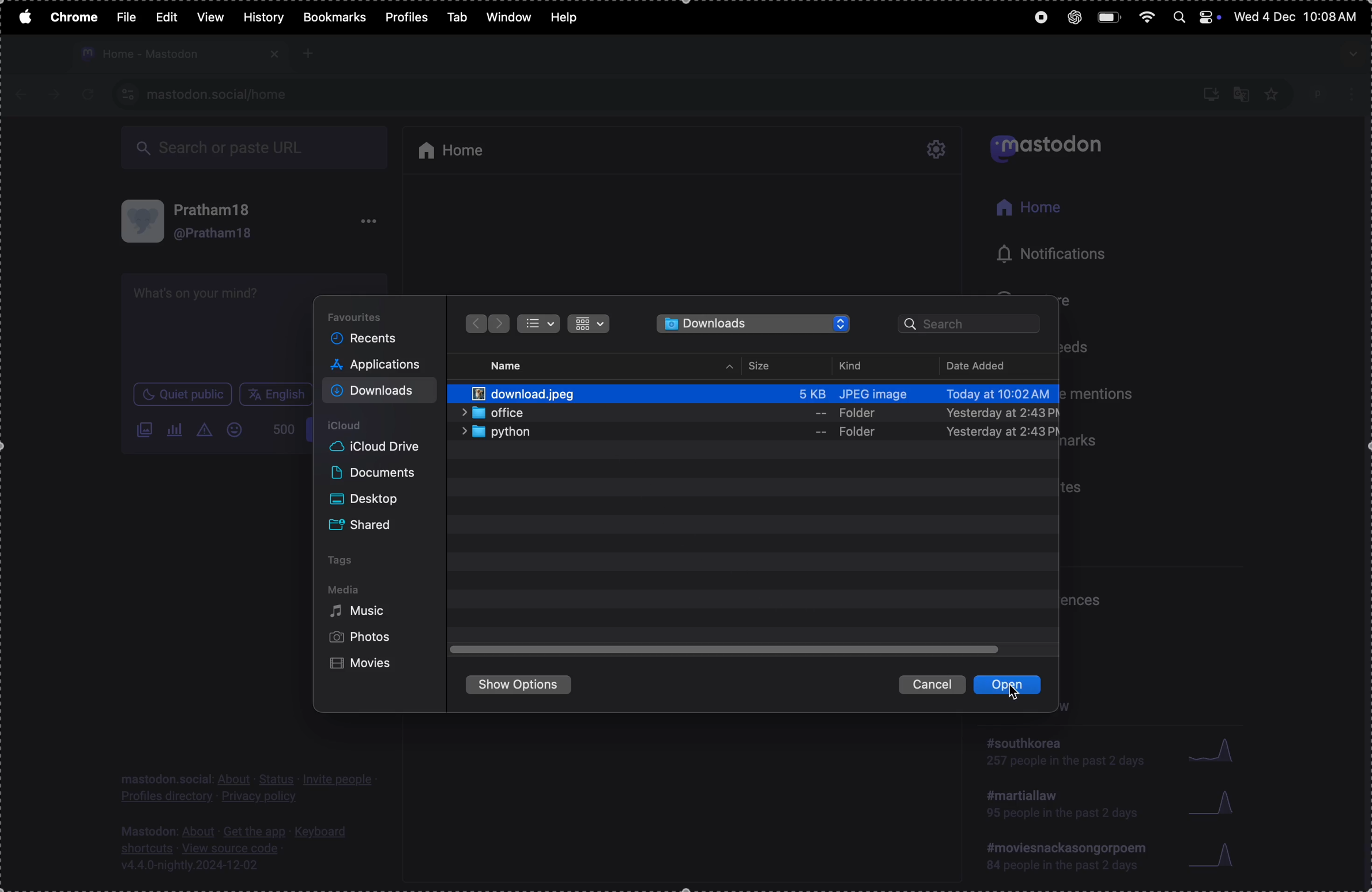 This screenshot has width=1372, height=892. I want to click on image file, so click(761, 390).